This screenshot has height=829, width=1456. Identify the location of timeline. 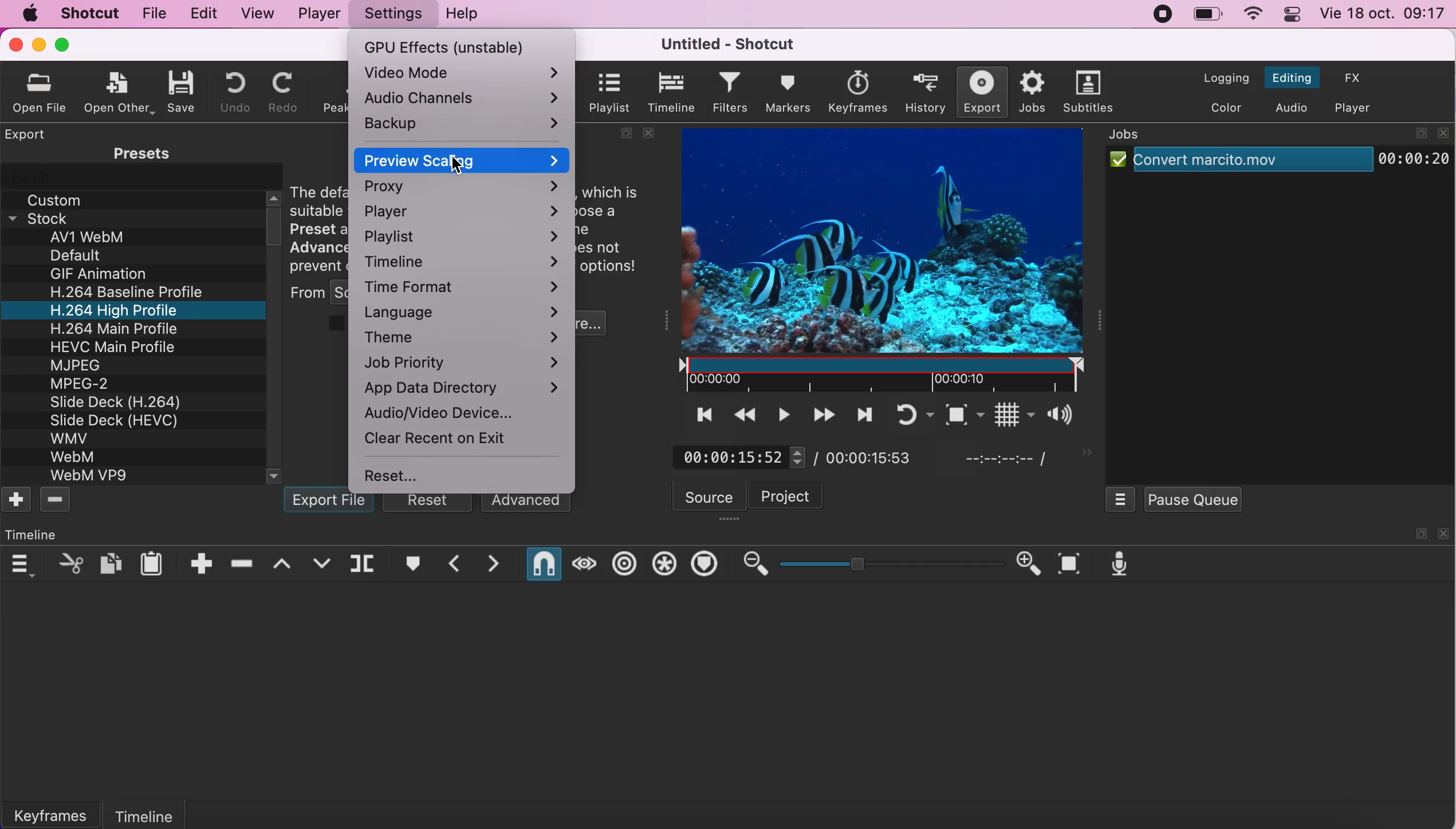
(170, 811).